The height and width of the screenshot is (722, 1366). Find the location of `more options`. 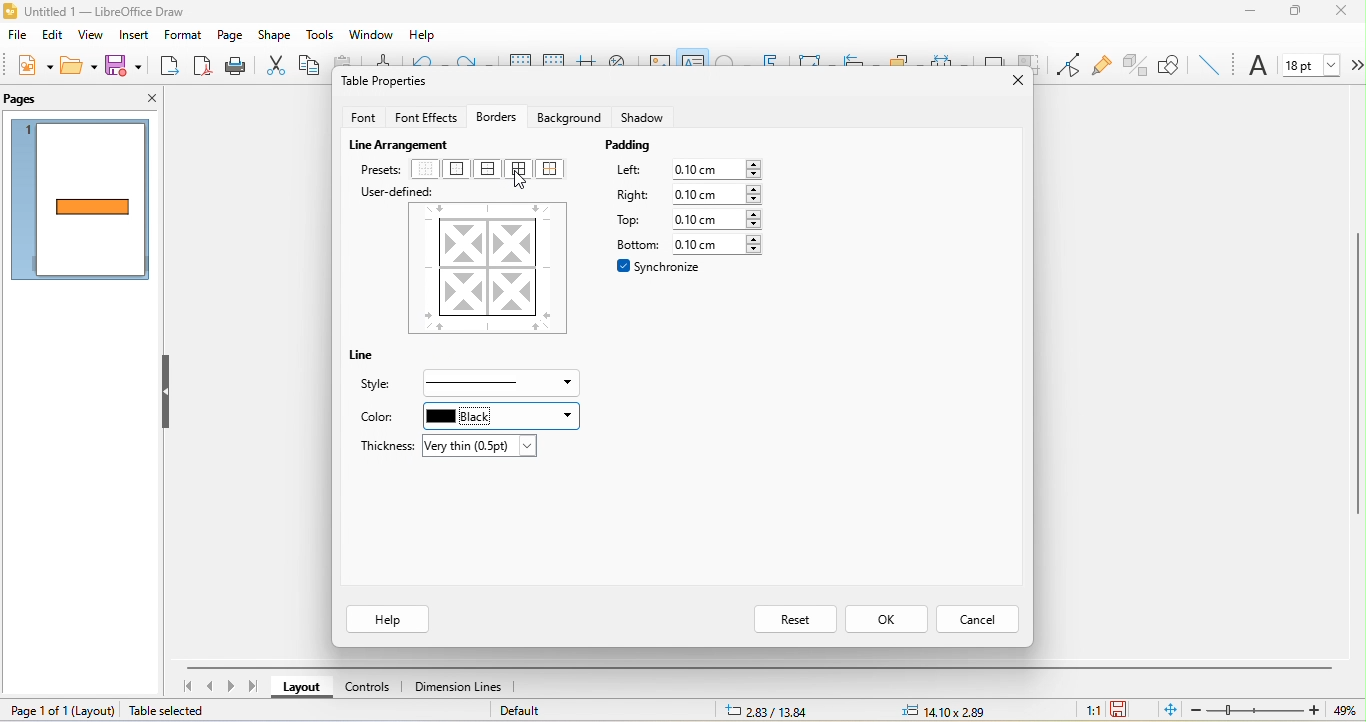

more options is located at coordinates (1356, 65).